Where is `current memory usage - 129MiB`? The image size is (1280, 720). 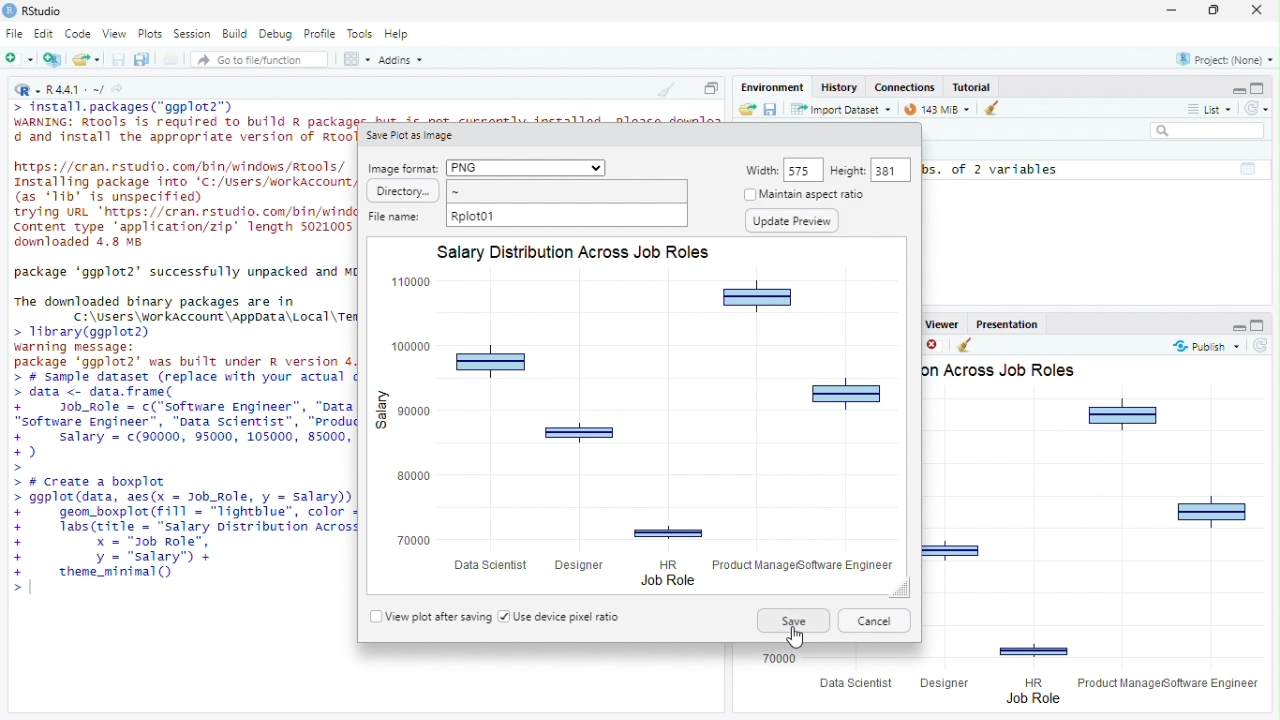
current memory usage - 129MiB is located at coordinates (937, 109).